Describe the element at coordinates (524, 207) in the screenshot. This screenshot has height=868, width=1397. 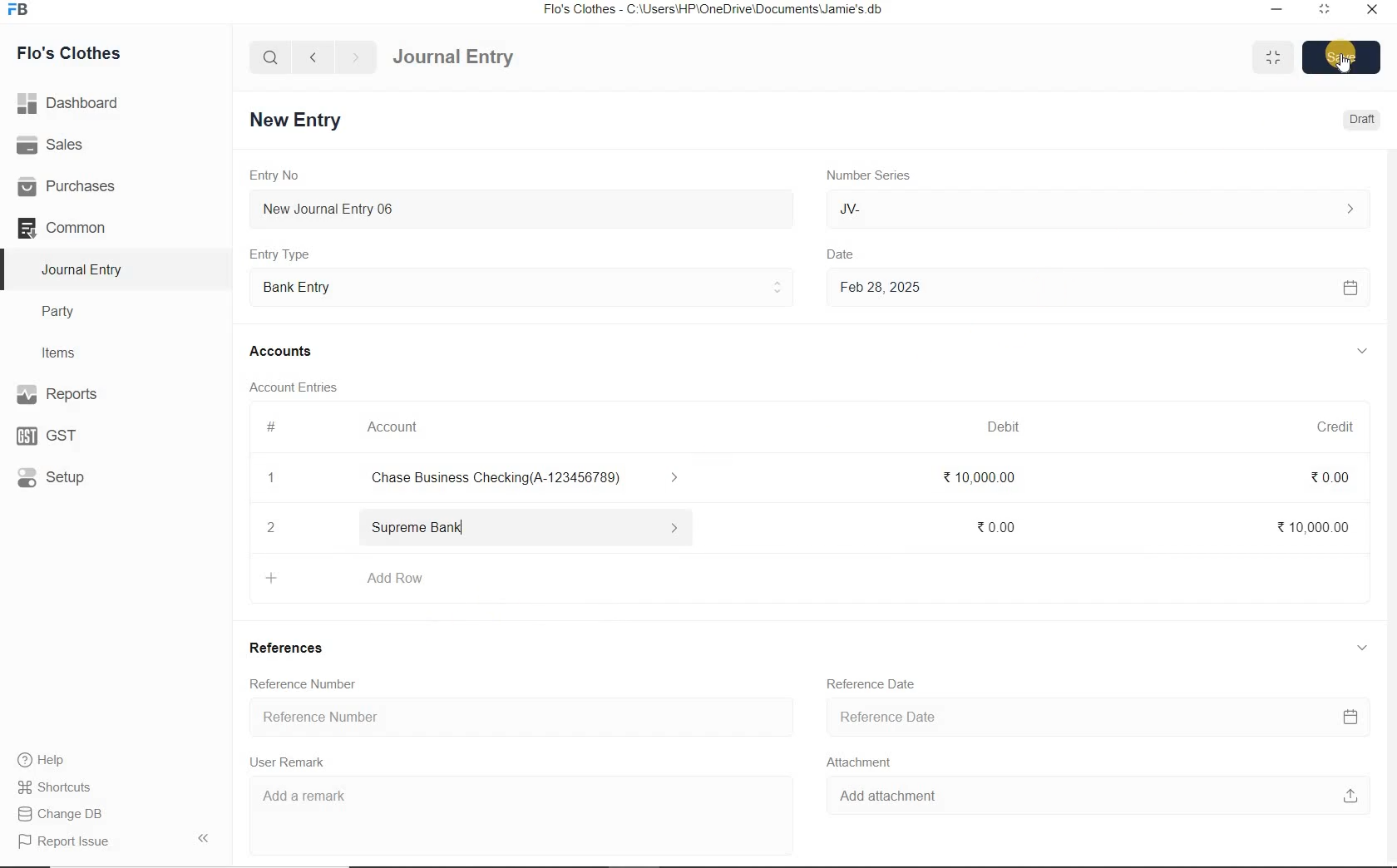
I see `New Journal Entry 06` at that location.